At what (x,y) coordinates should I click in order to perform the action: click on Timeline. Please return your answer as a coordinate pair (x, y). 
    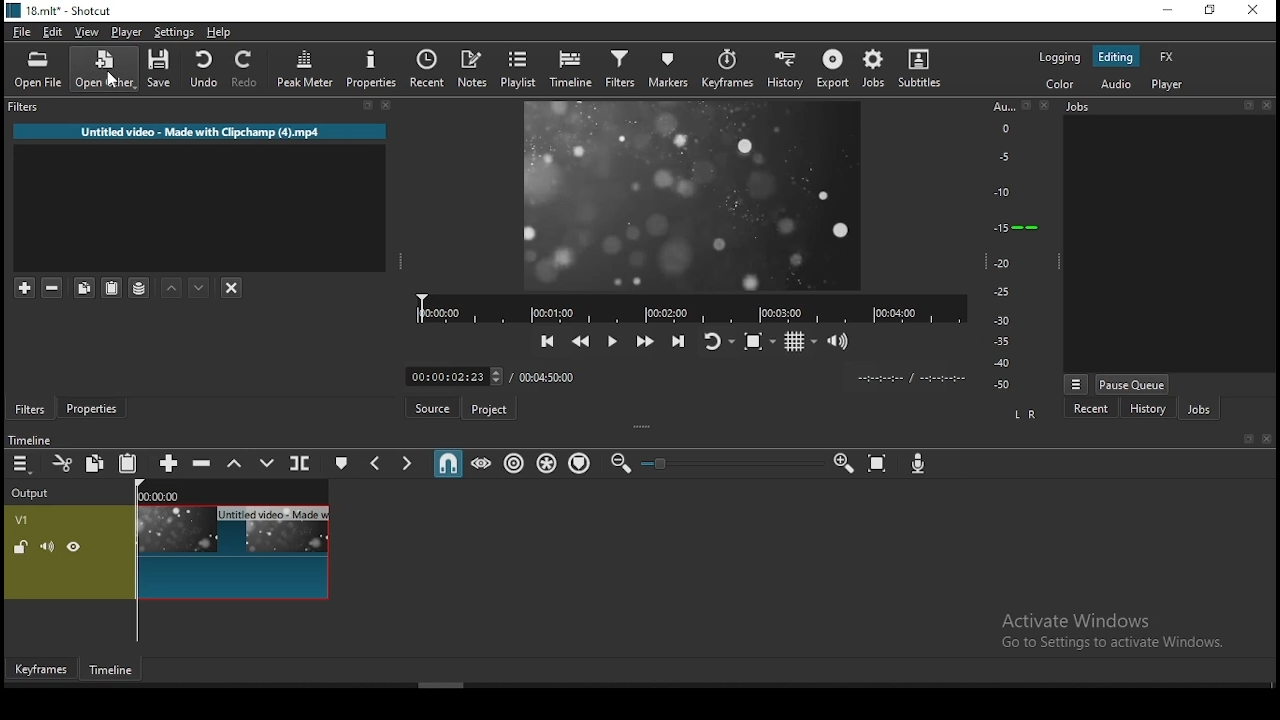
    Looking at the image, I should click on (109, 669).